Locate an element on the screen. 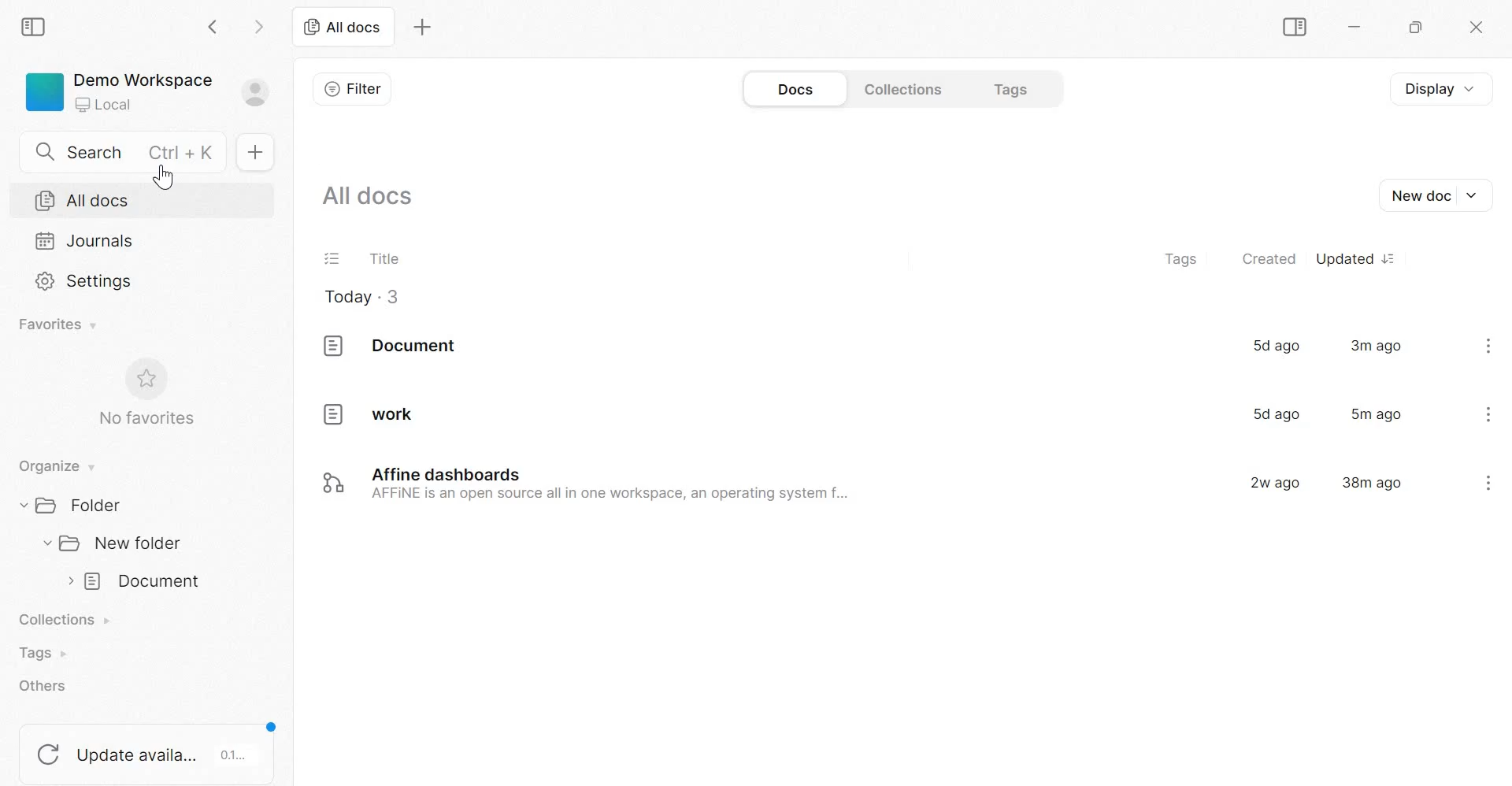  All docs is located at coordinates (369, 194).